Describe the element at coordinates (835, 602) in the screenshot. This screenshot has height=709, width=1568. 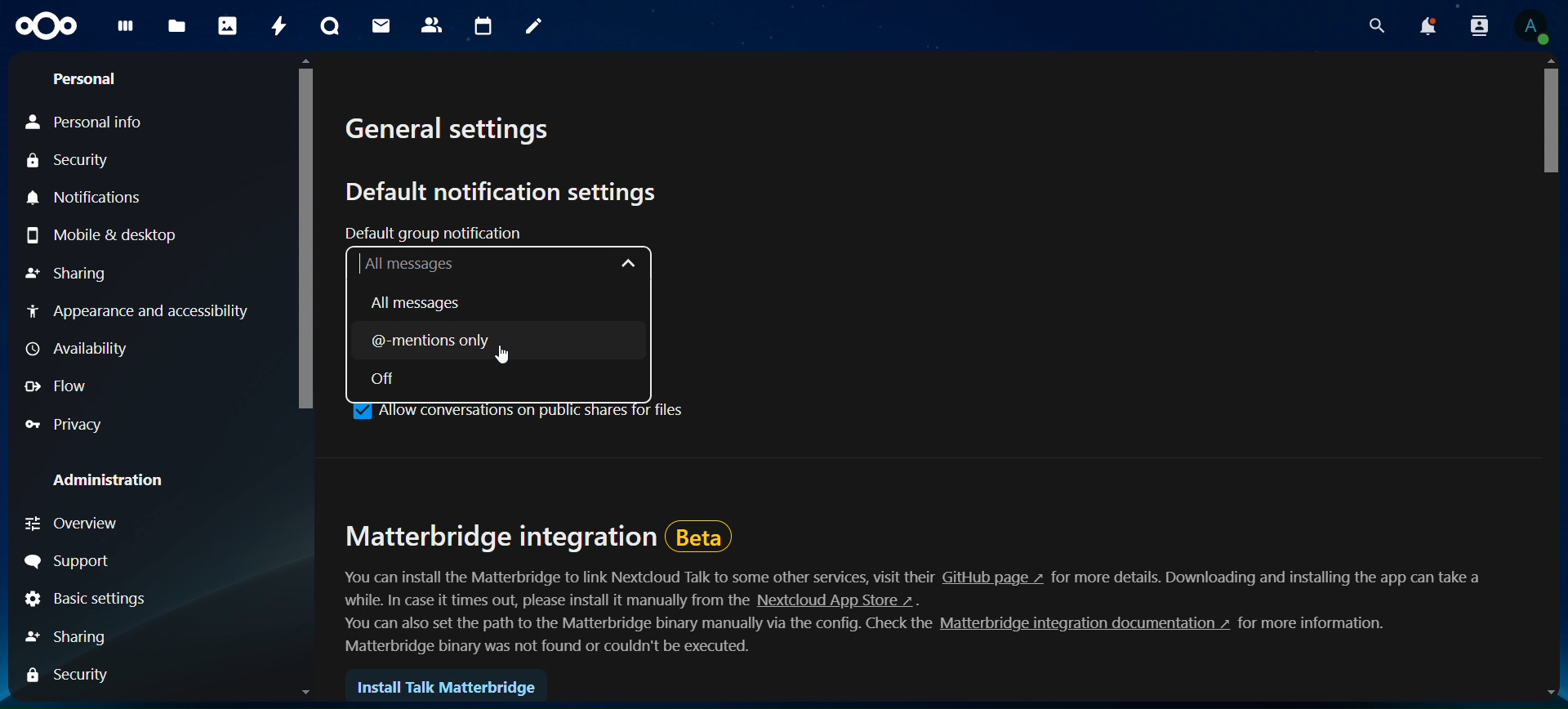
I see `hyperlink` at that location.